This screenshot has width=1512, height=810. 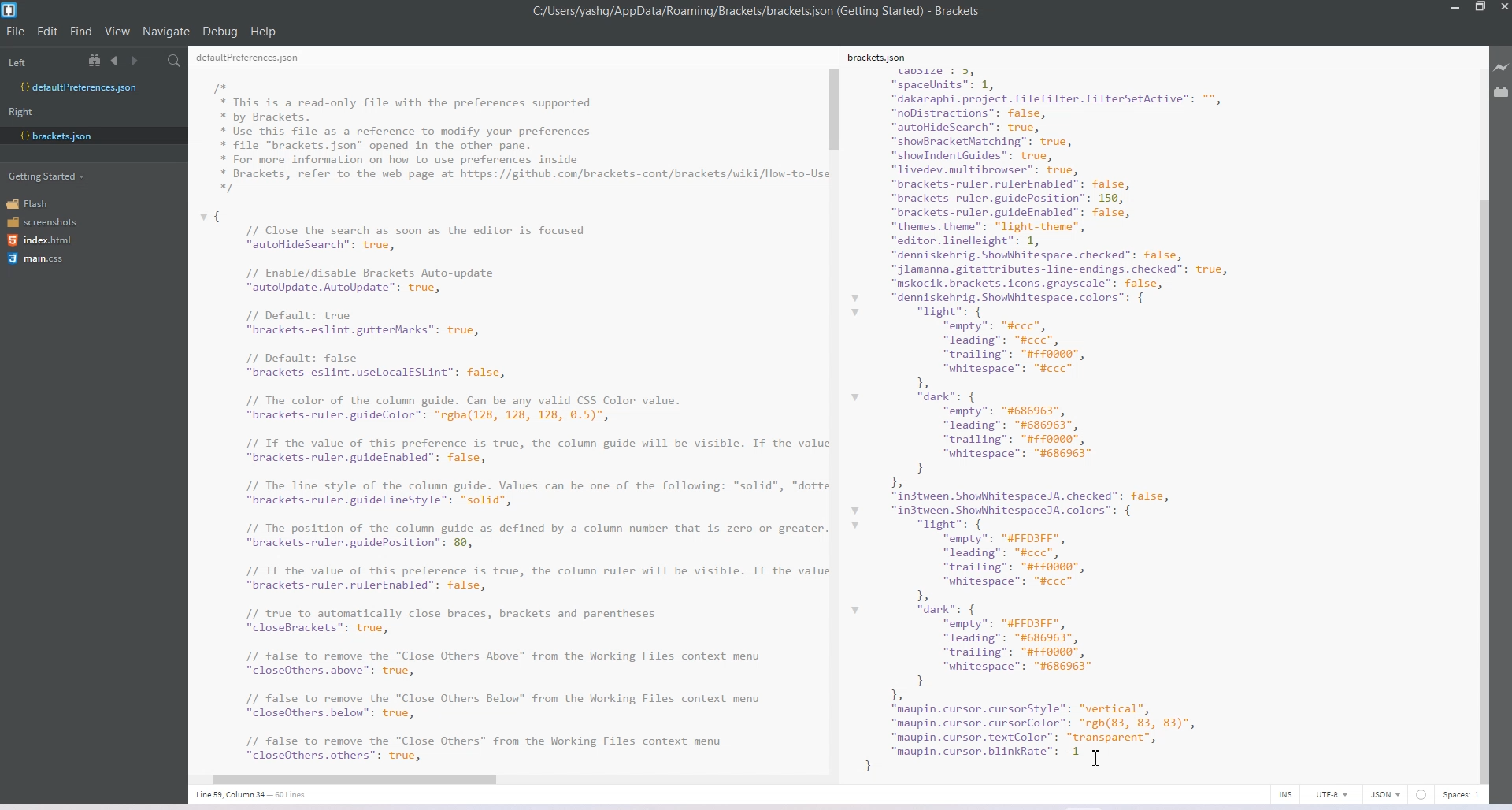 What do you see at coordinates (20, 112) in the screenshot?
I see `Right` at bounding box center [20, 112].